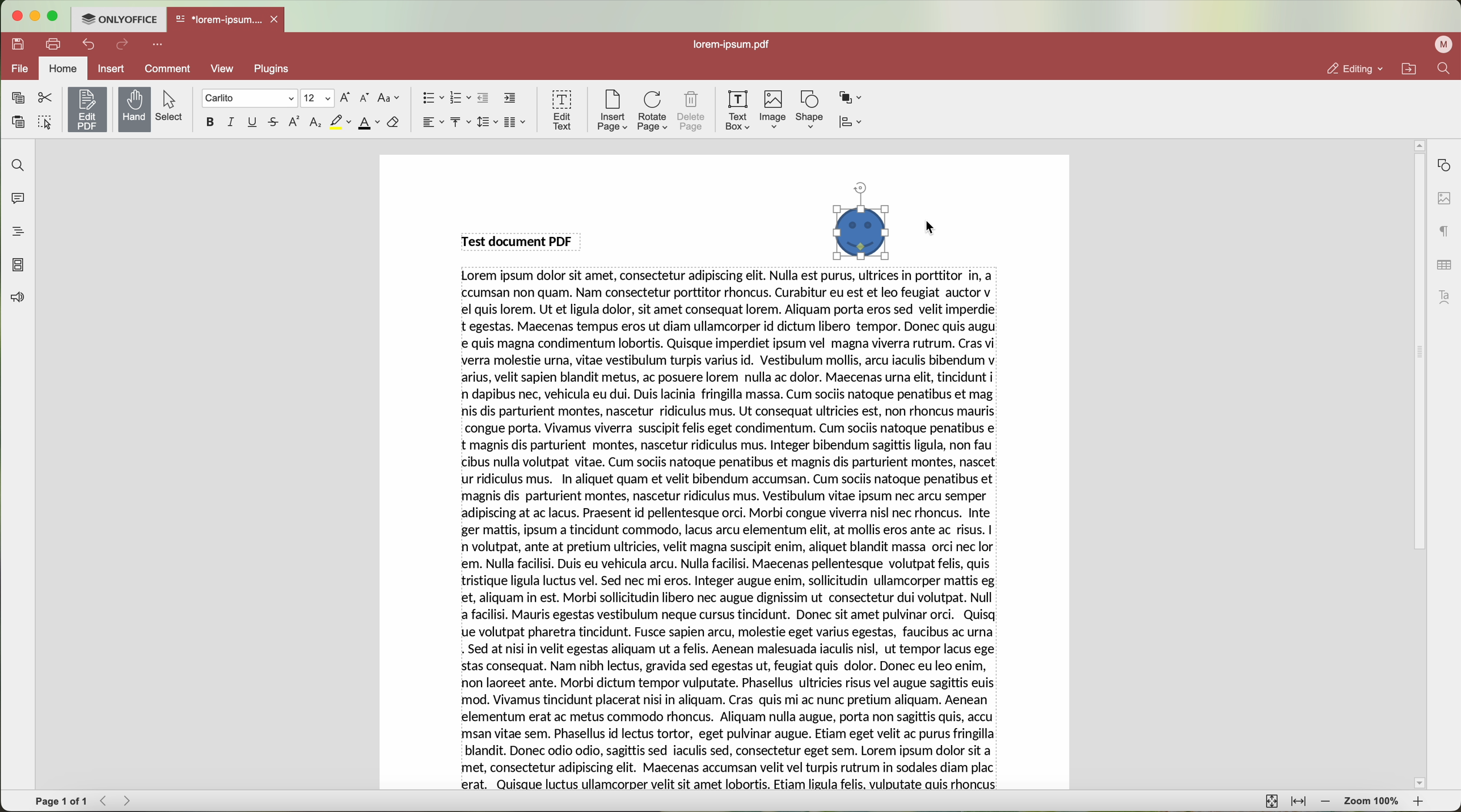 The image size is (1461, 812). I want to click on feedback and support, so click(18, 298).